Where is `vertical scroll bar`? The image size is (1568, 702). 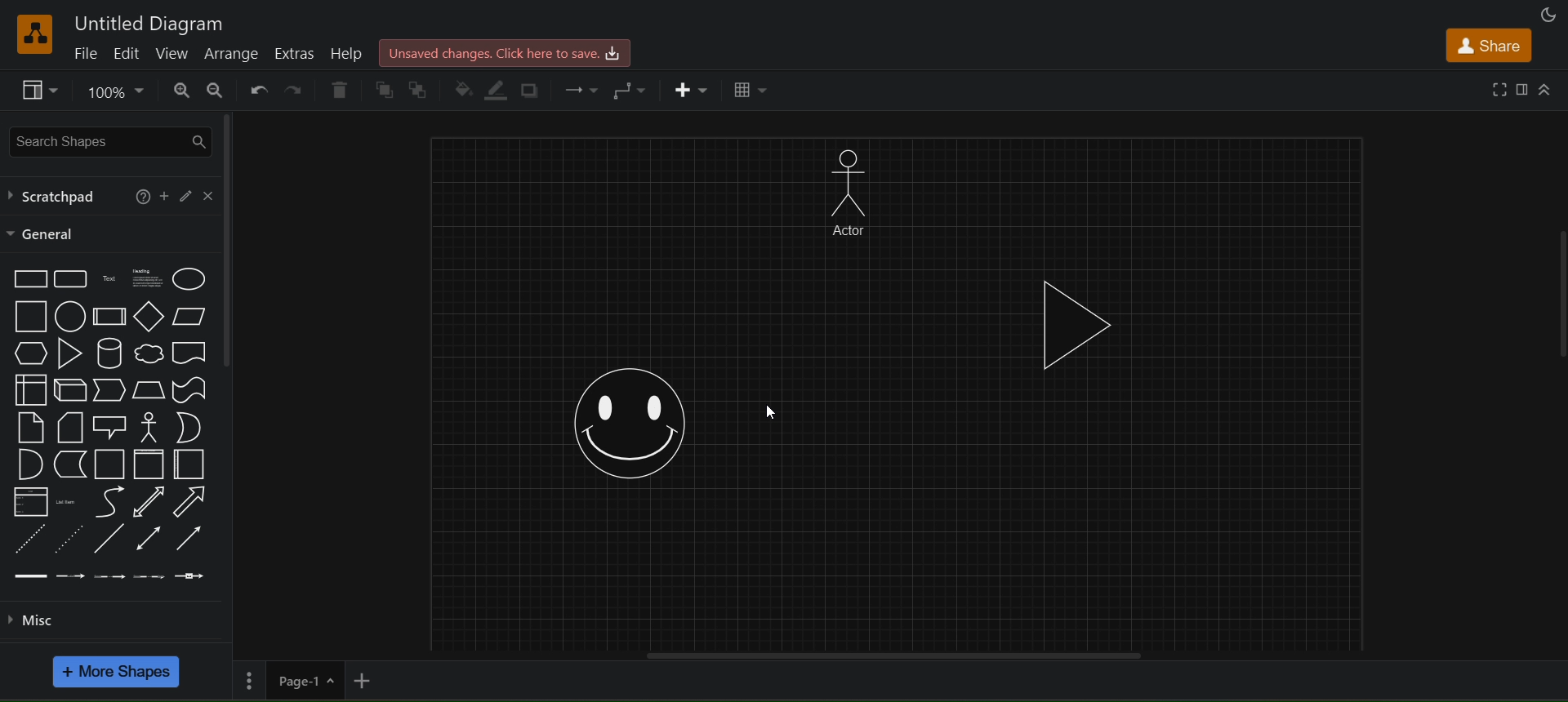
vertical scroll bar is located at coordinates (231, 238).